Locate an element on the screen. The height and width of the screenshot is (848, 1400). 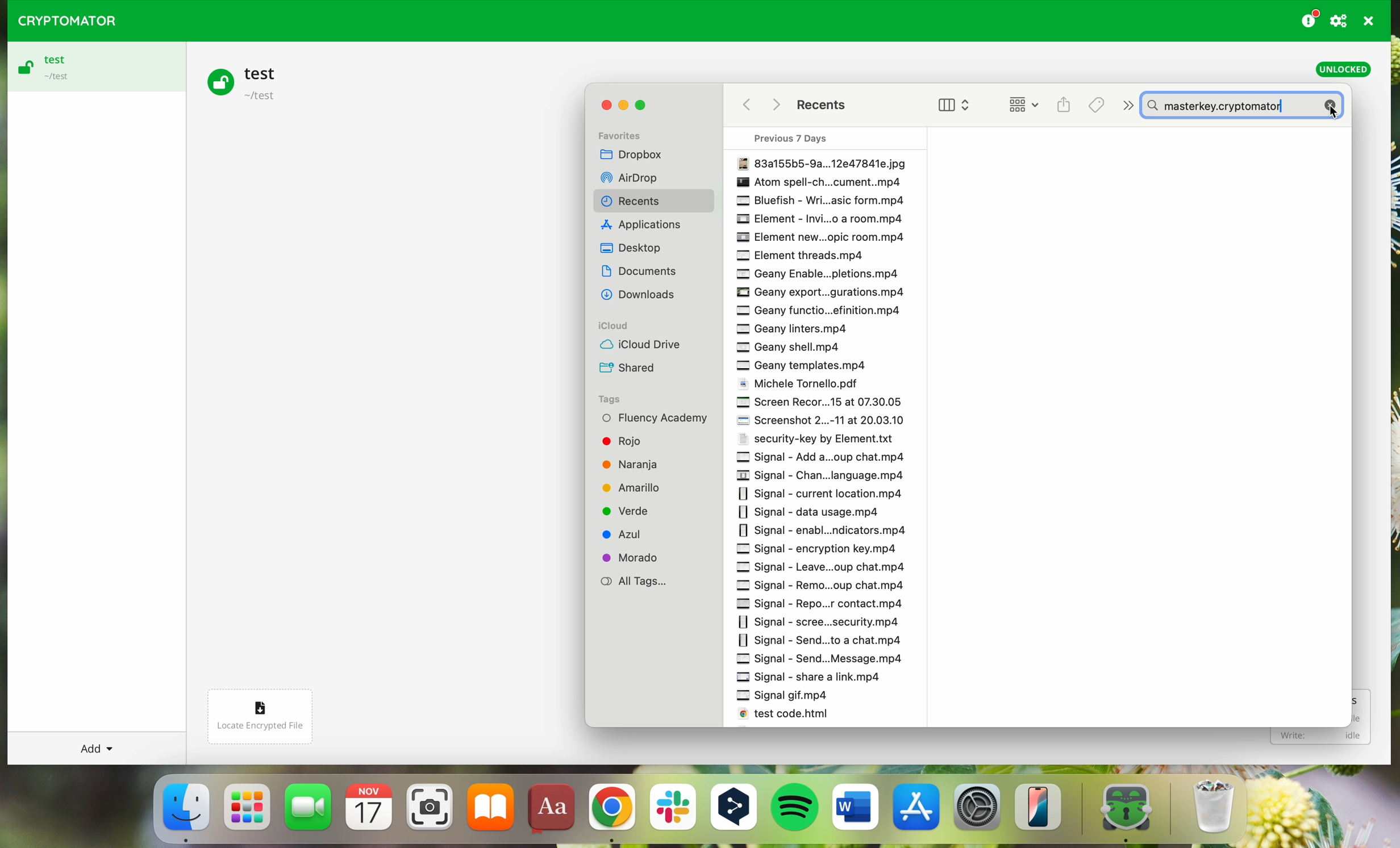
DeepL is located at coordinates (736, 809).